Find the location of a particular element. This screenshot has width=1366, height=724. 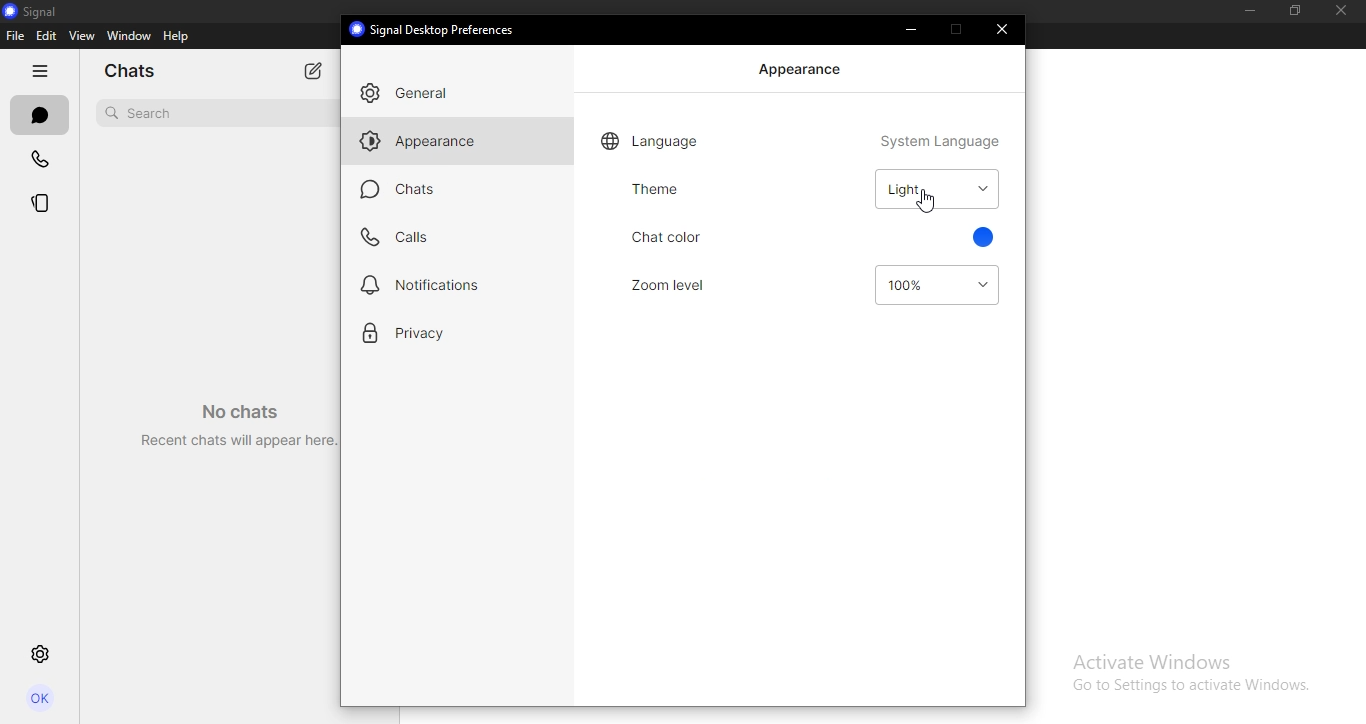

chats is located at coordinates (137, 72).